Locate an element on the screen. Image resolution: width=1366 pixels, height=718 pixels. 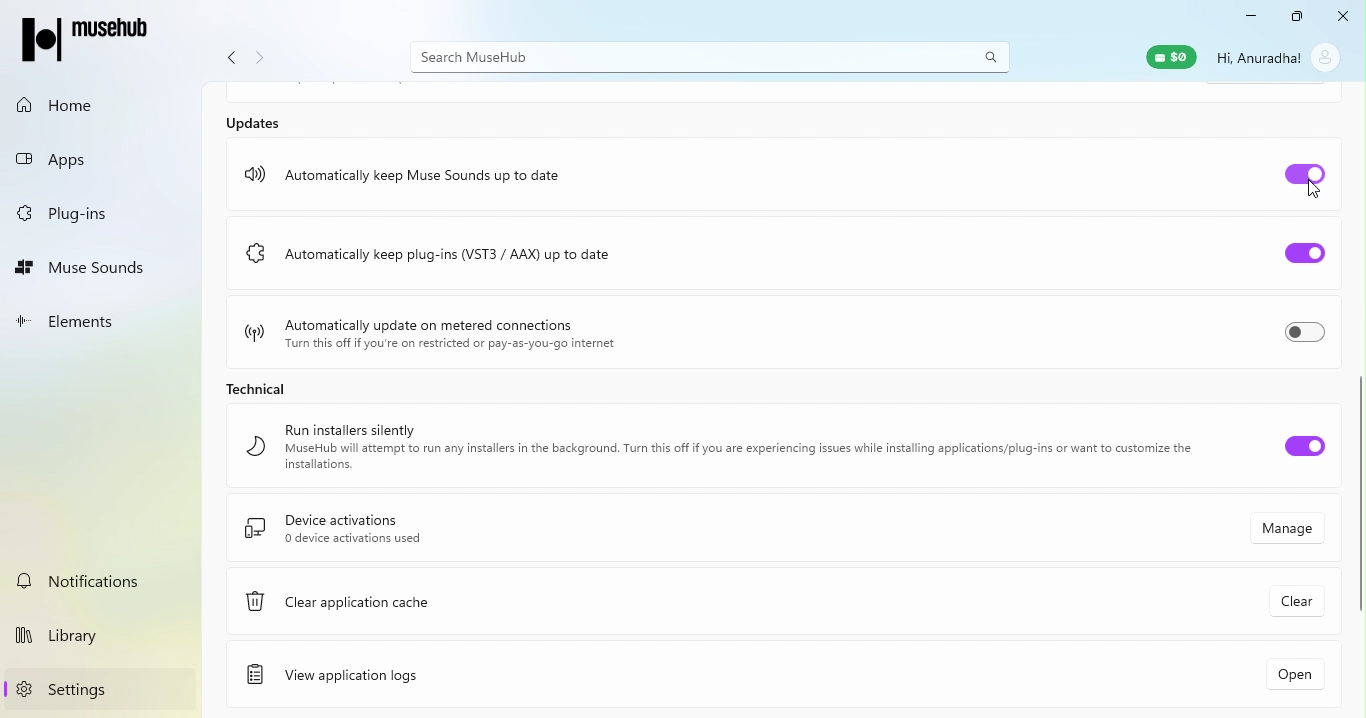
Home is located at coordinates (90, 104).